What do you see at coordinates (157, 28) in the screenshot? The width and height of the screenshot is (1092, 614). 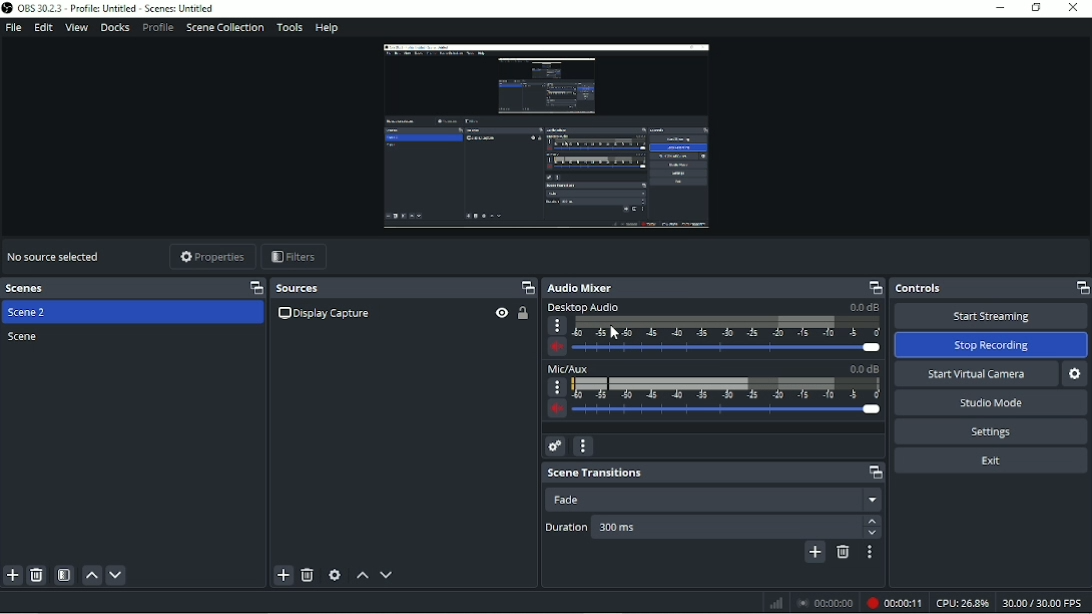 I see `Profile` at bounding box center [157, 28].